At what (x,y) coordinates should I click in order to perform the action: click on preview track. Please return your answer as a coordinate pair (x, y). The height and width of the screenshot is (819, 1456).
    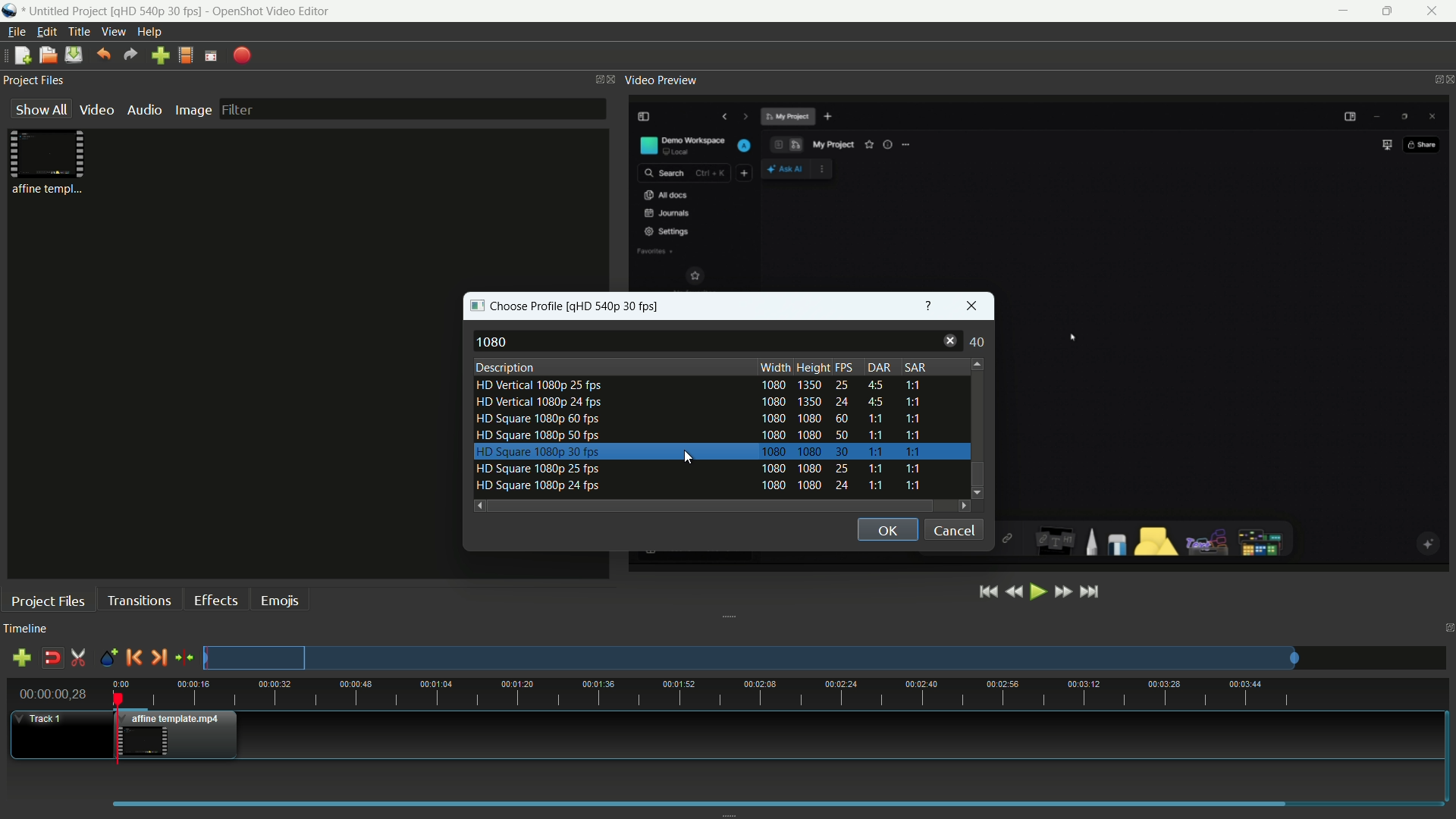
    Looking at the image, I should click on (750, 657).